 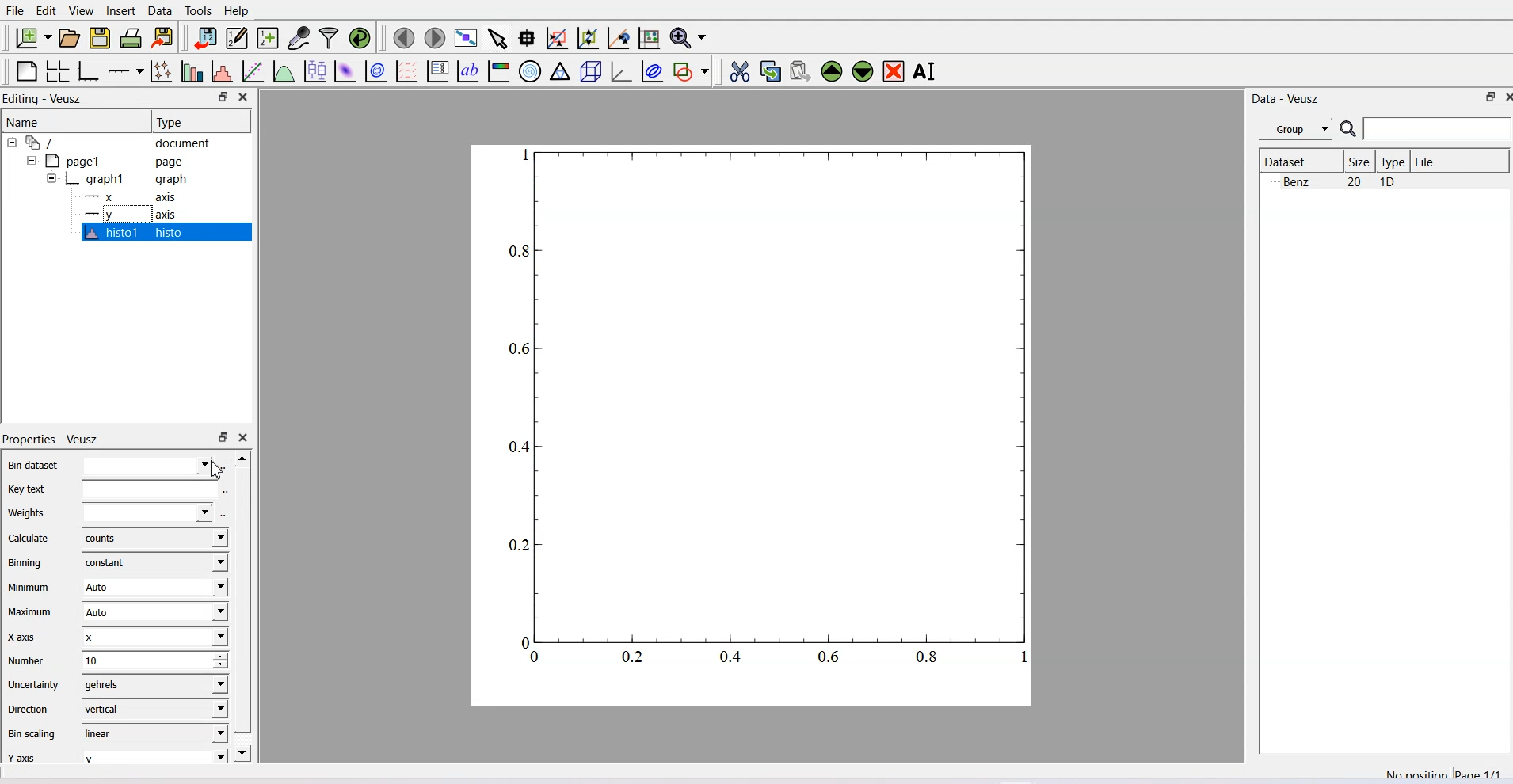 I want to click on Filter Data, so click(x=330, y=37).